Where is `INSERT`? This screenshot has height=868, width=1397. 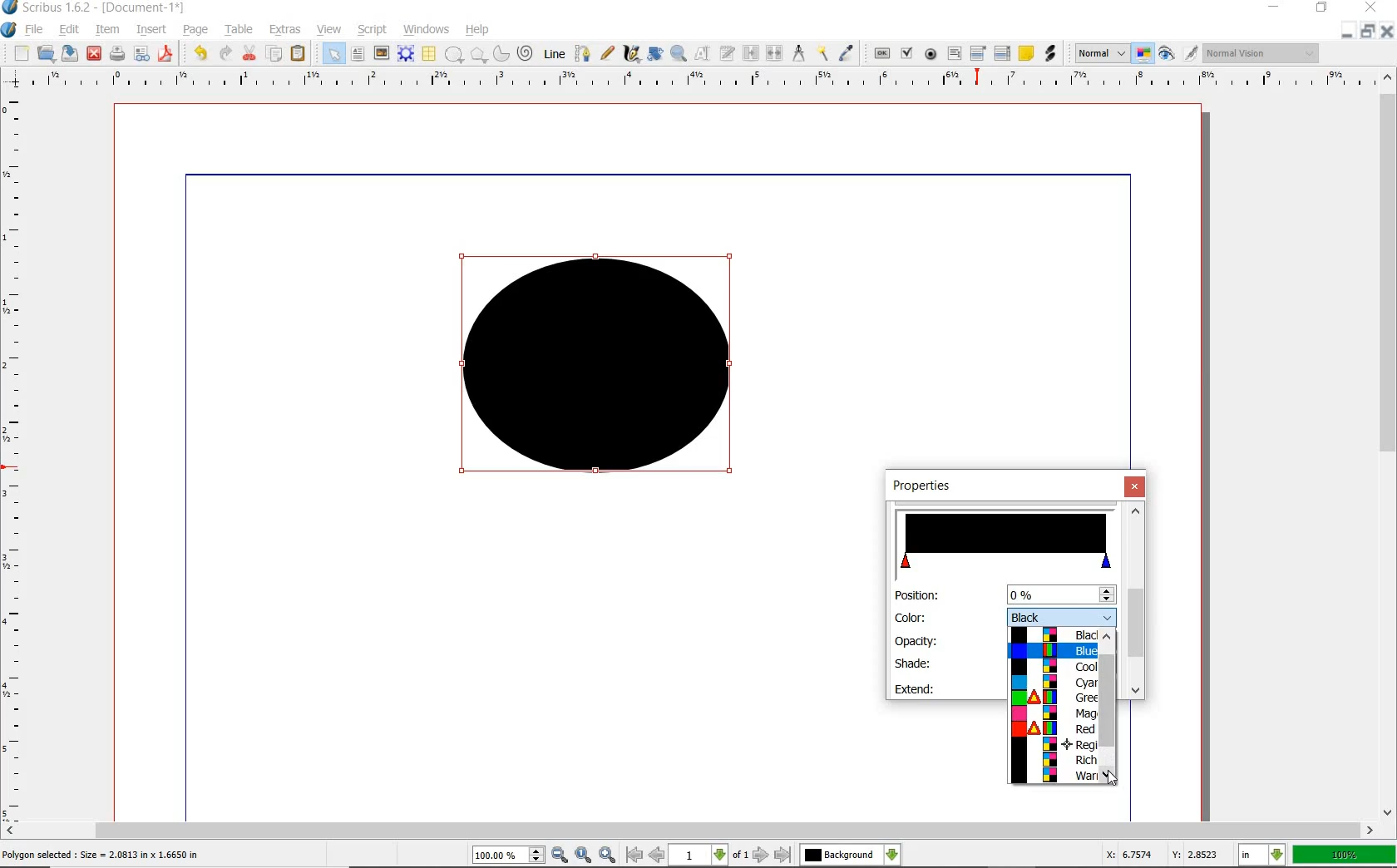
INSERT is located at coordinates (151, 30).